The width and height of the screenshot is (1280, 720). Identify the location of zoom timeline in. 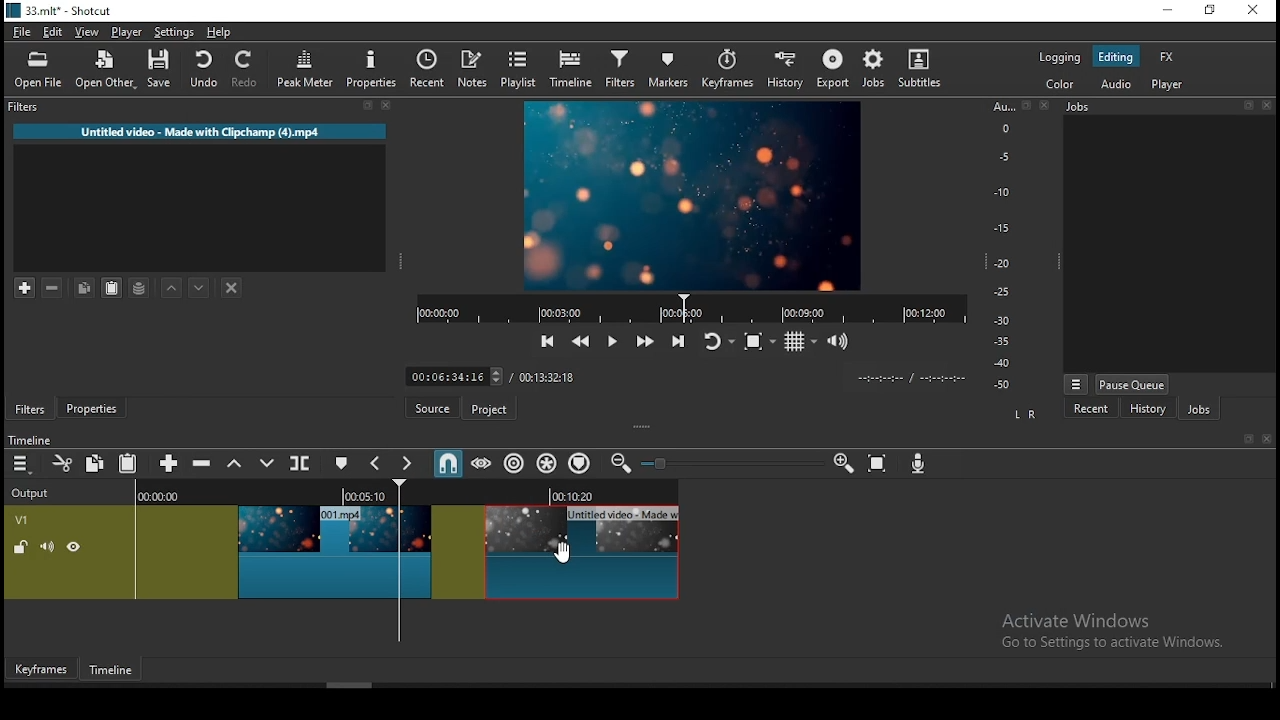
(843, 464).